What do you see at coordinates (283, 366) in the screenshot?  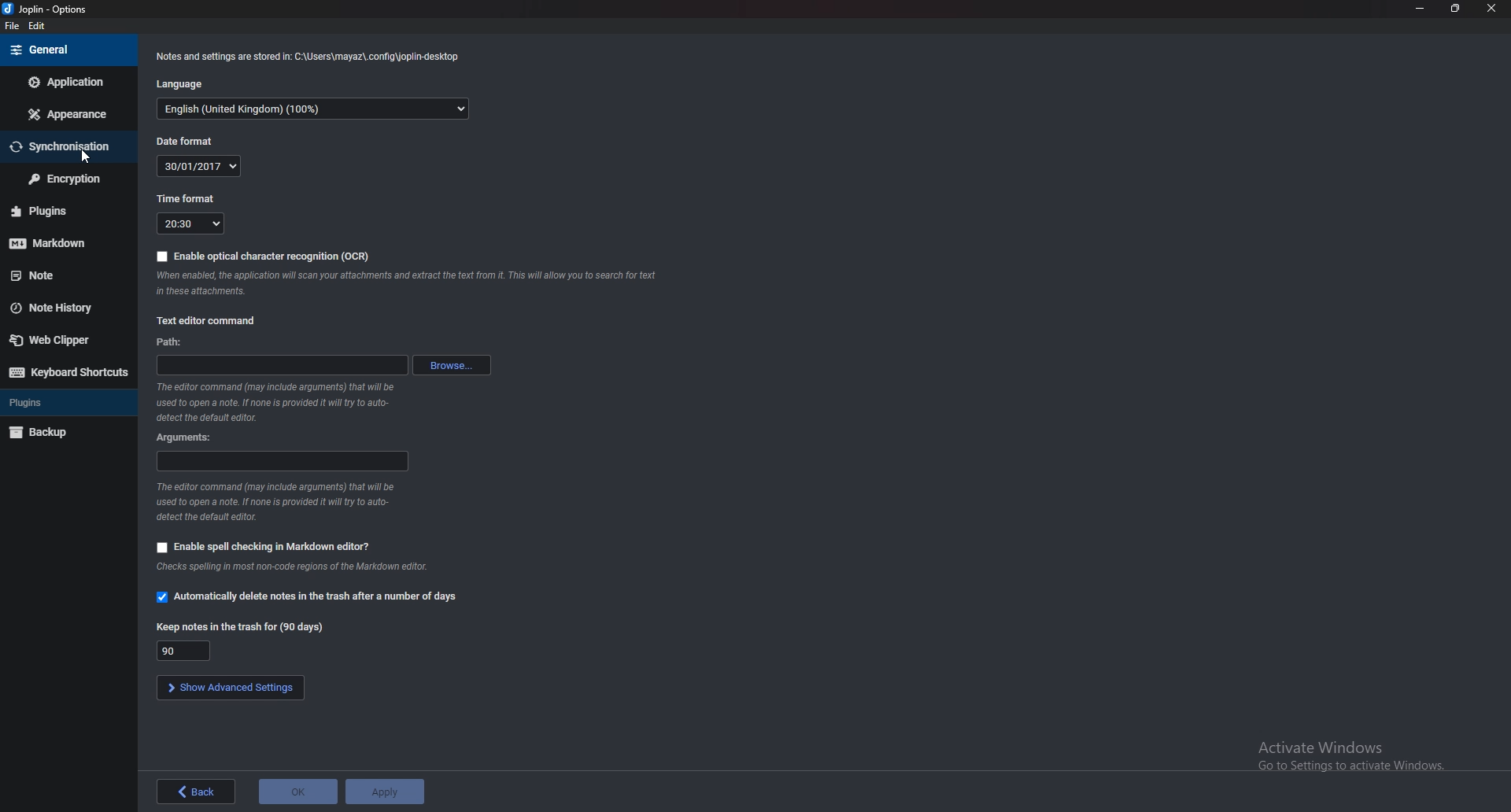 I see `path` at bounding box center [283, 366].